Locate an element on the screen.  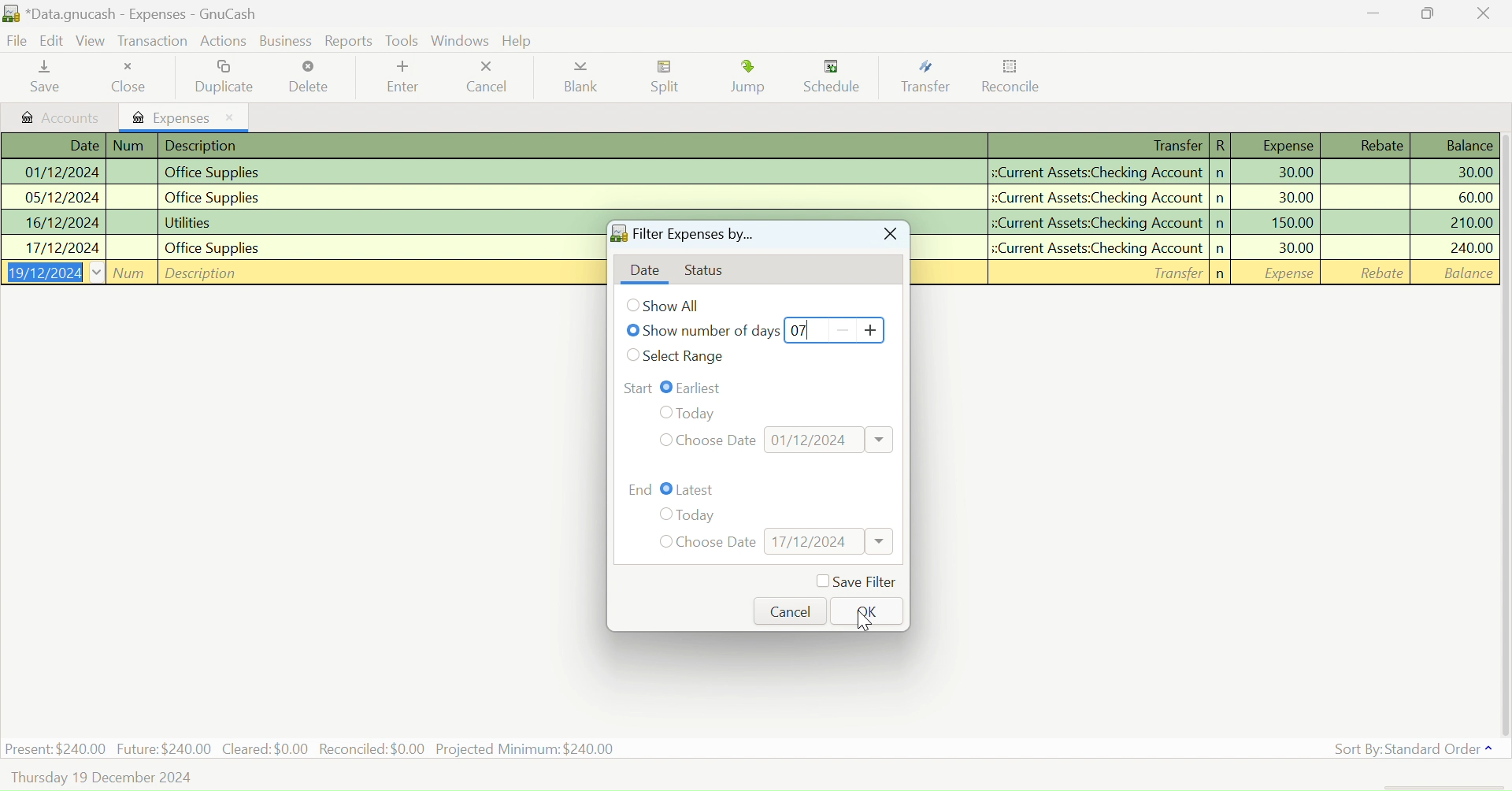
Utilities Transaction is located at coordinates (301, 223).